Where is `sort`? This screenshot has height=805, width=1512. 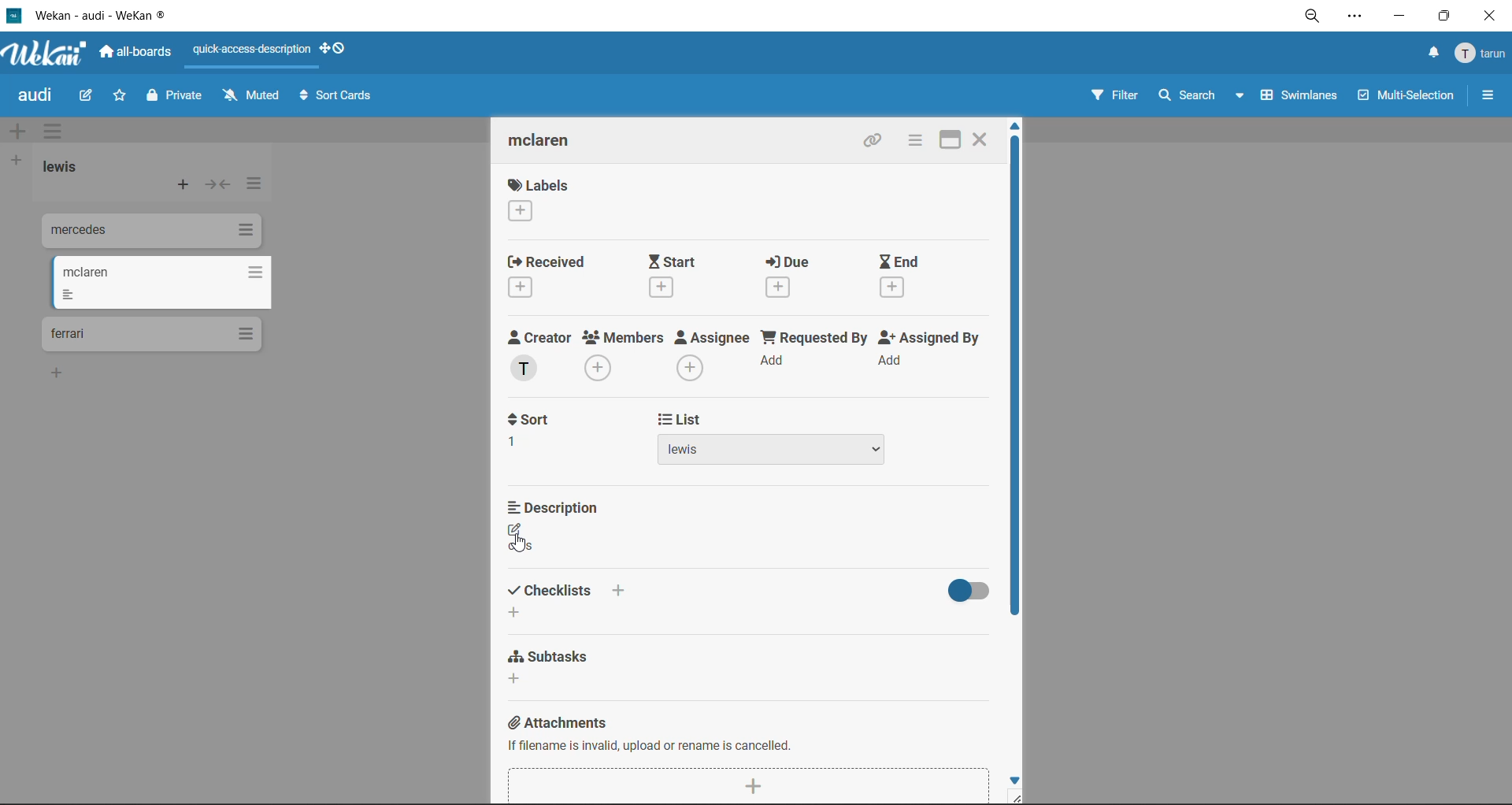 sort is located at coordinates (539, 431).